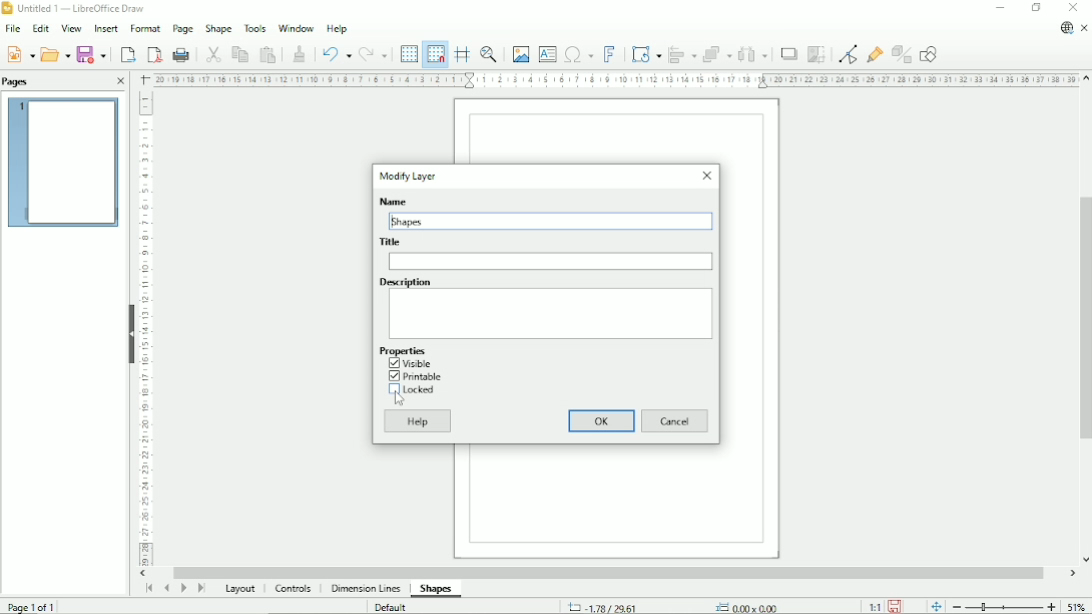 This screenshot has height=614, width=1092. What do you see at coordinates (417, 390) in the screenshot?
I see `Locked` at bounding box center [417, 390].